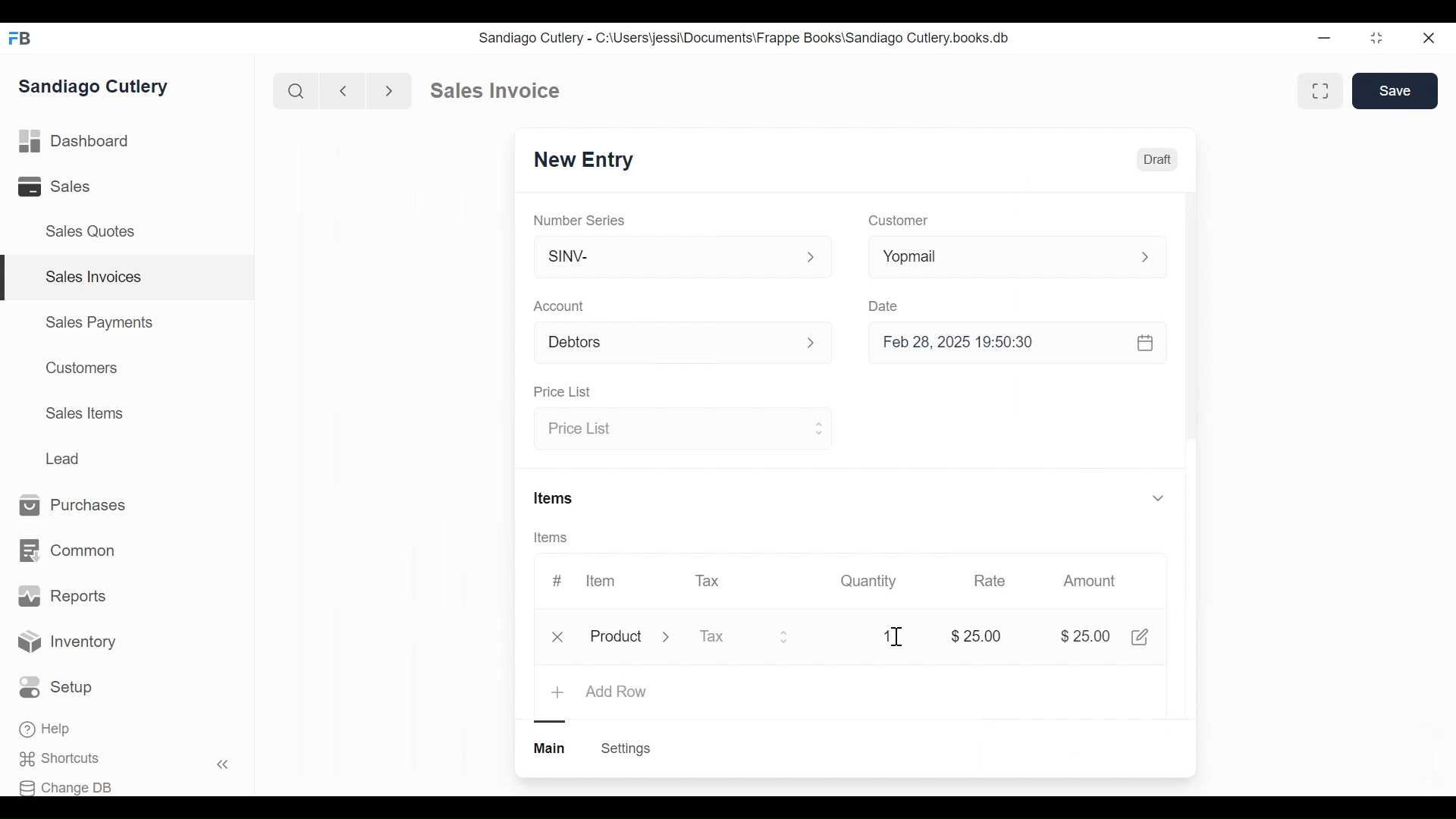 The width and height of the screenshot is (1456, 819). Describe the element at coordinates (628, 748) in the screenshot. I see `Settings` at that location.